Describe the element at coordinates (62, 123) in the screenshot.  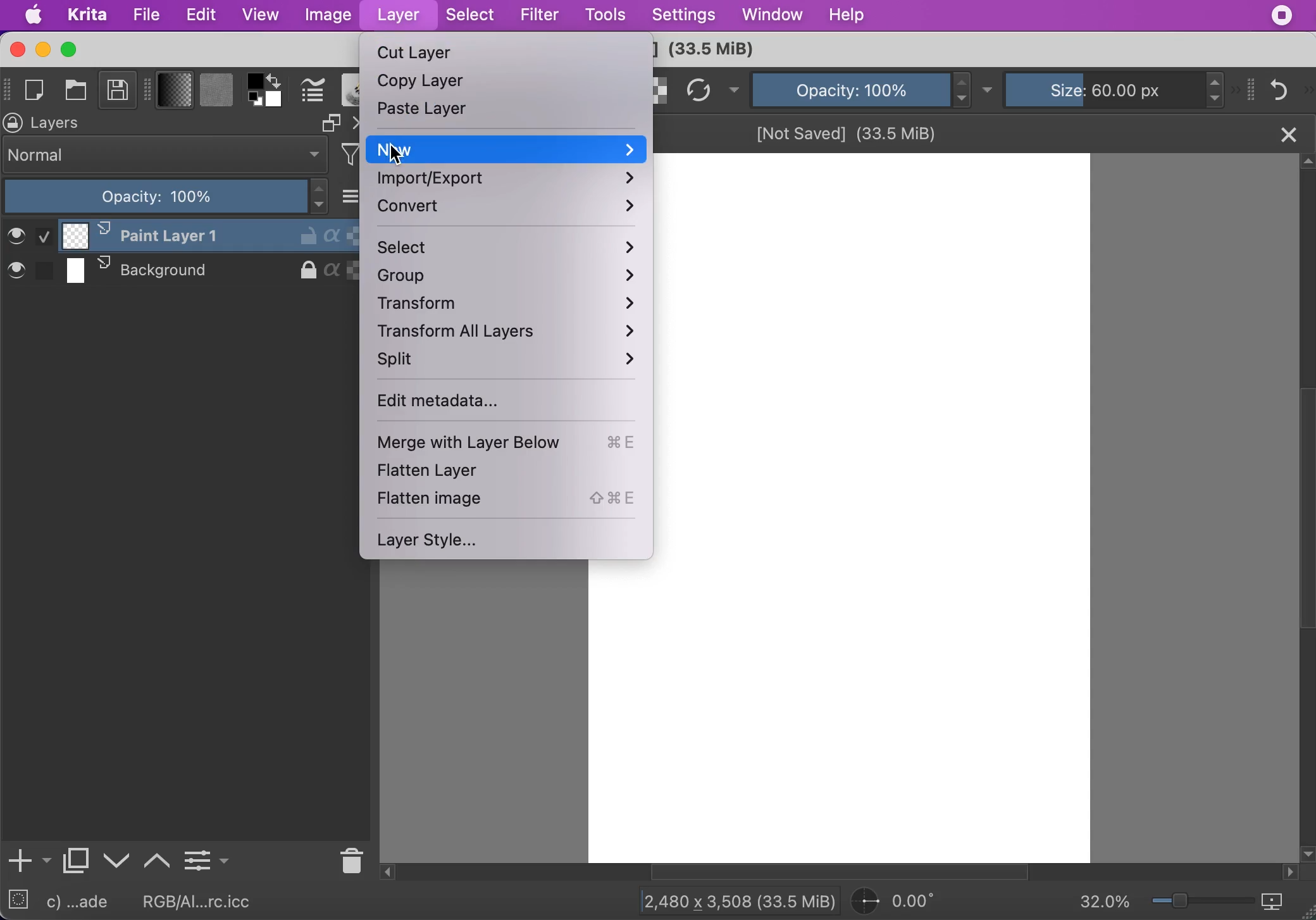
I see `layers` at that location.